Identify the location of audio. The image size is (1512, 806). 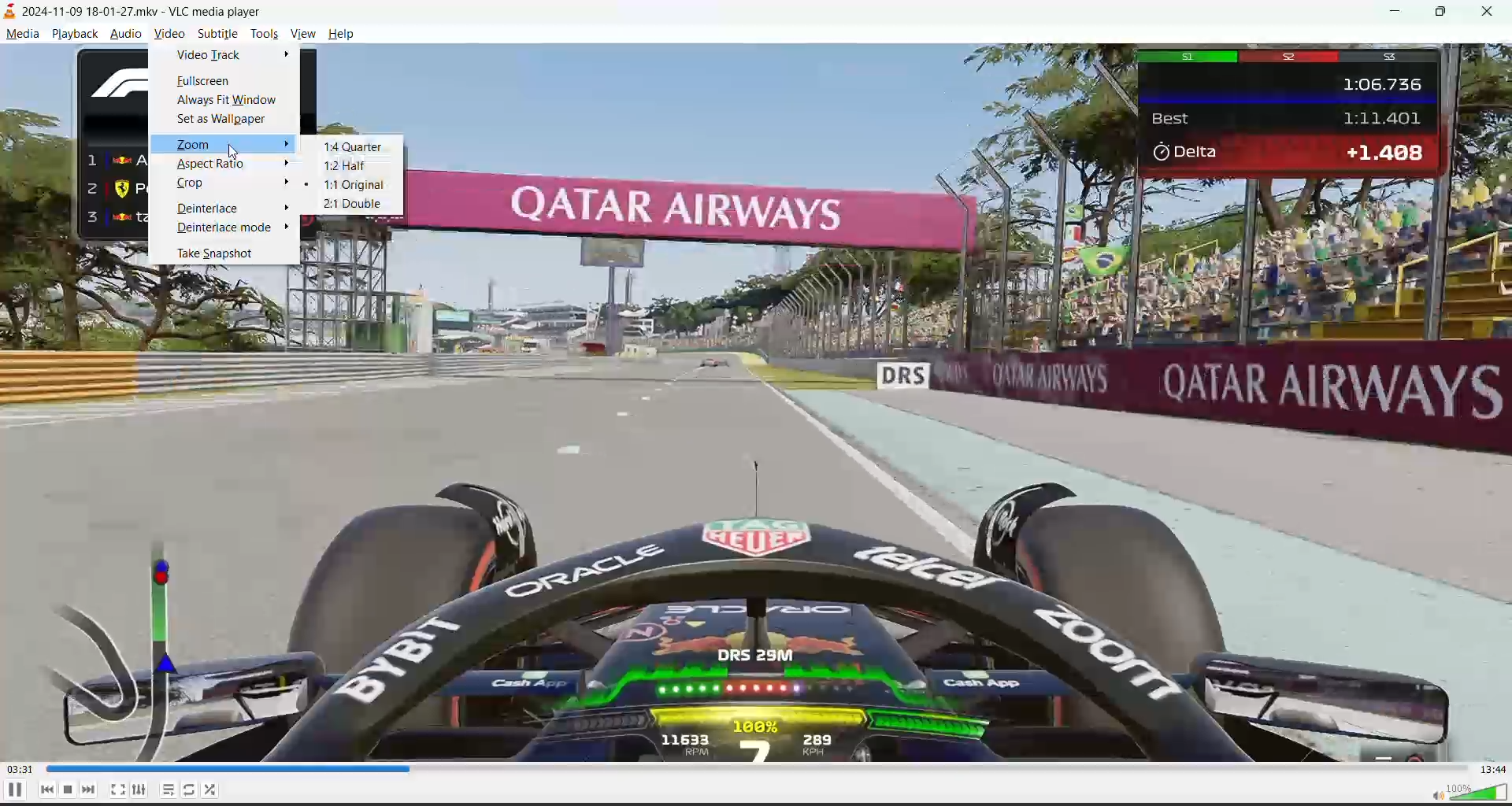
(128, 31).